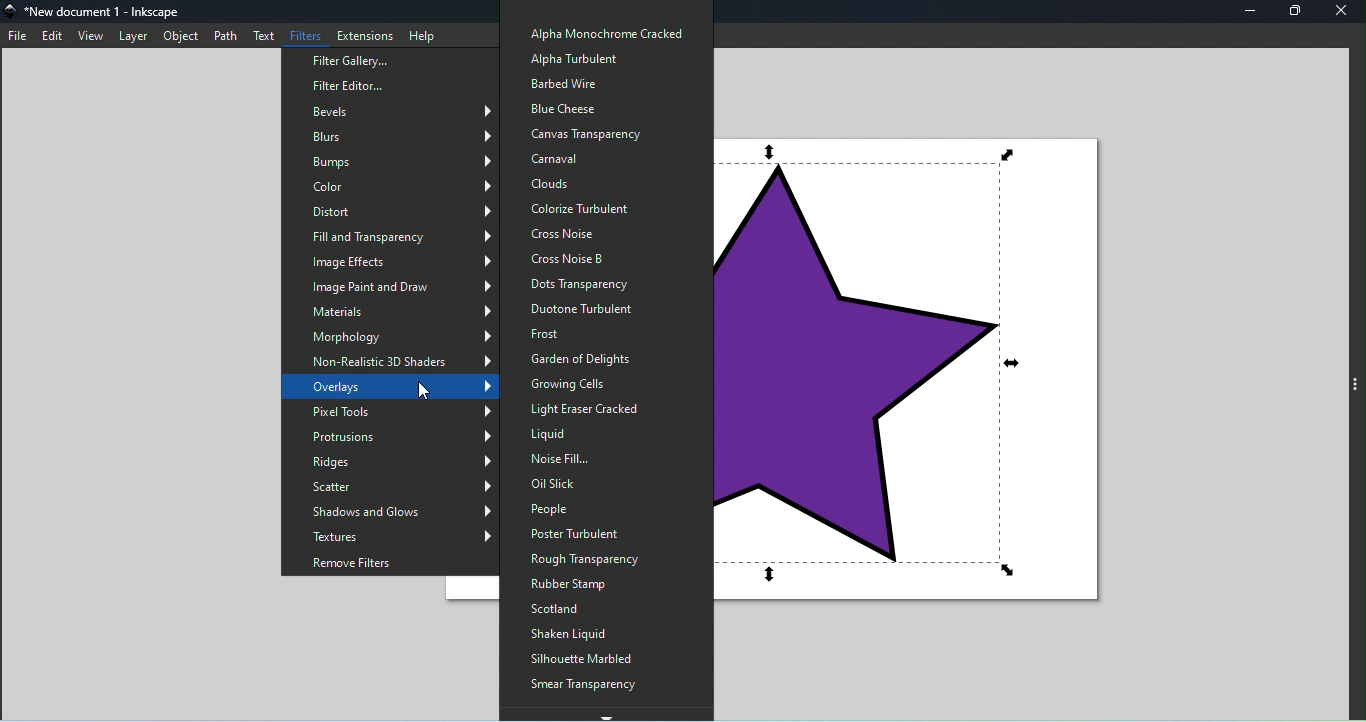  Describe the element at coordinates (586, 634) in the screenshot. I see `Shaken liquid` at that location.